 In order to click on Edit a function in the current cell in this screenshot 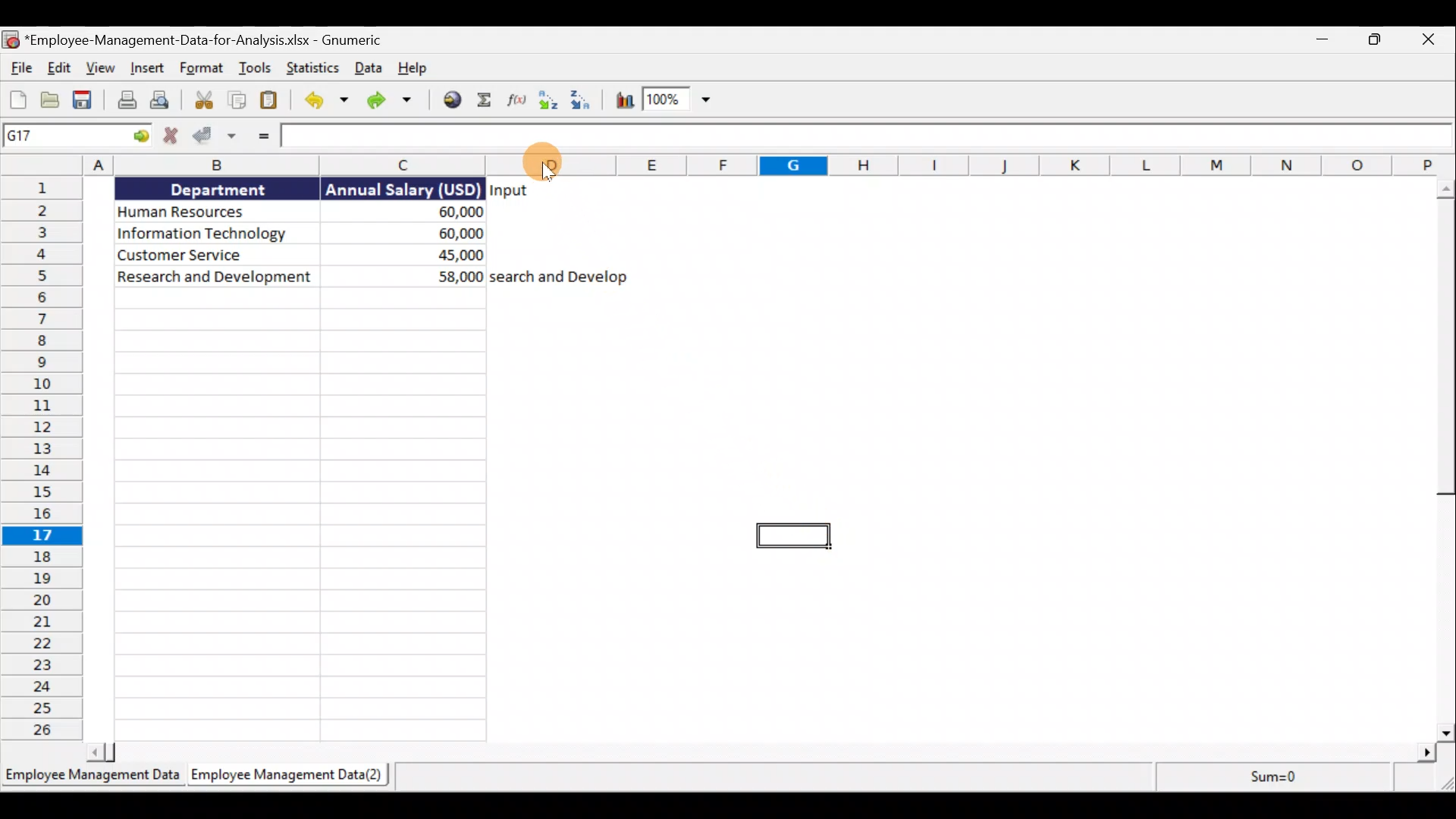, I will do `click(516, 102)`.